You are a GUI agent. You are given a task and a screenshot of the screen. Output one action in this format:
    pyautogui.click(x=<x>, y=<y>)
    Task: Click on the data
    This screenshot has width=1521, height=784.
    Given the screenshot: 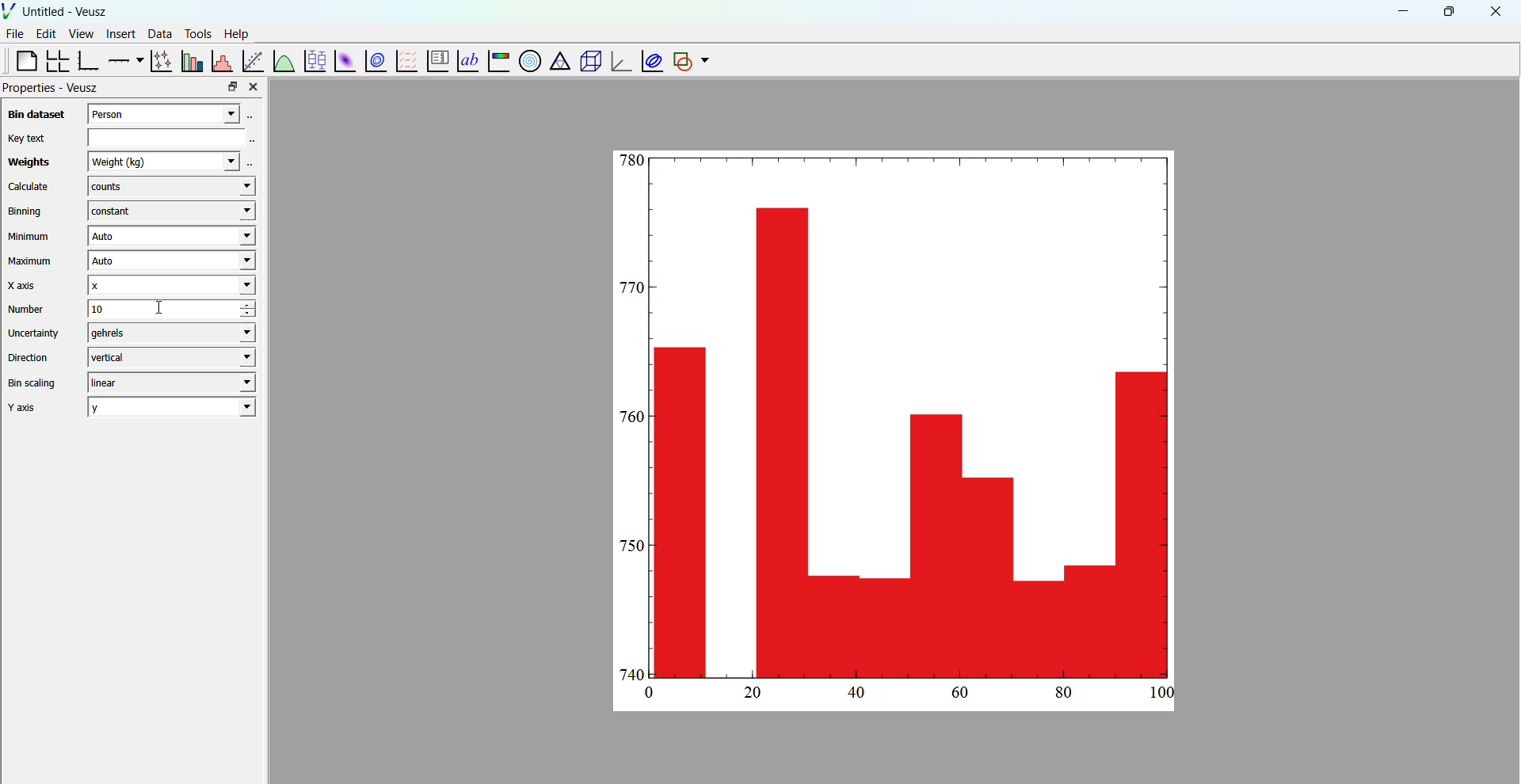 What is the action you would take?
    pyautogui.click(x=158, y=33)
    